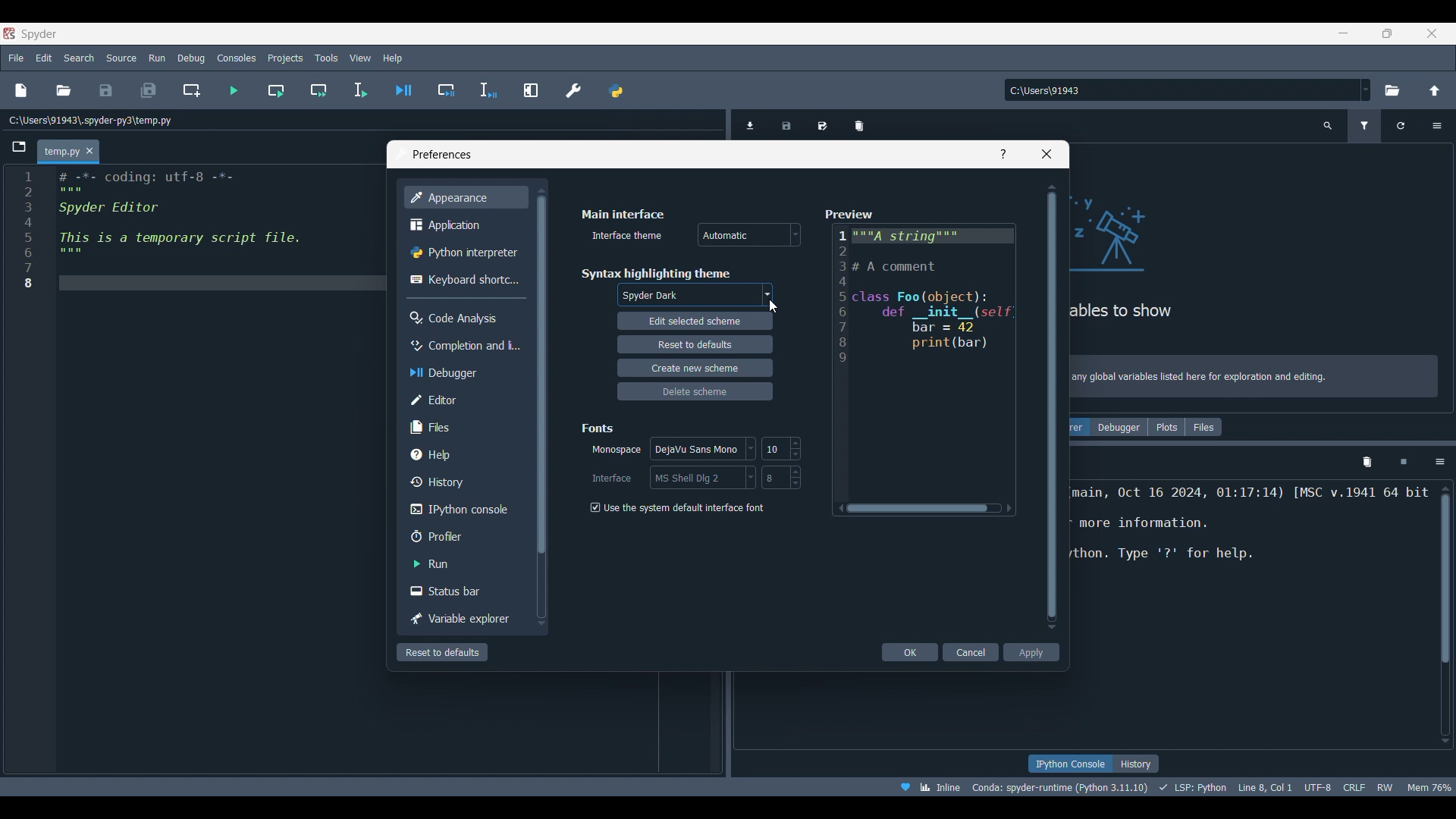 This screenshot has height=819, width=1456. I want to click on Interface theme options, so click(749, 234).